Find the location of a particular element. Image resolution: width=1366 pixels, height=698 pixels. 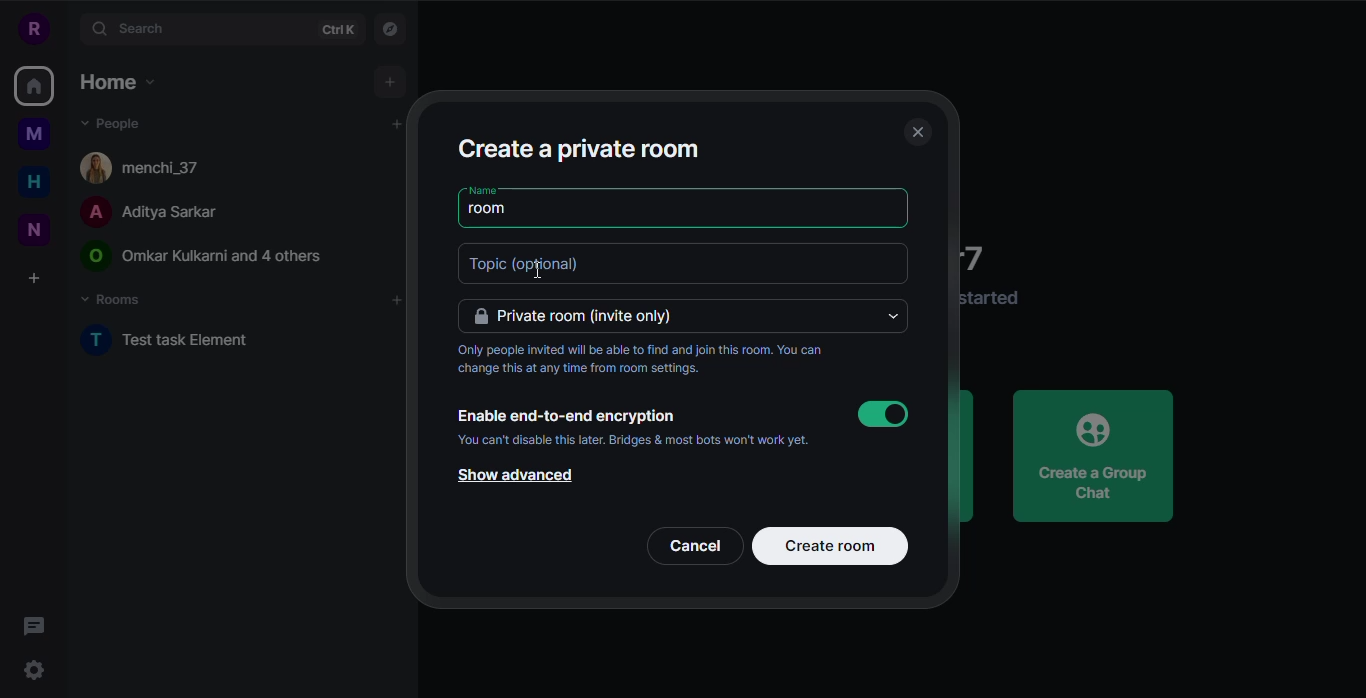

enable encryption is located at coordinates (565, 416).